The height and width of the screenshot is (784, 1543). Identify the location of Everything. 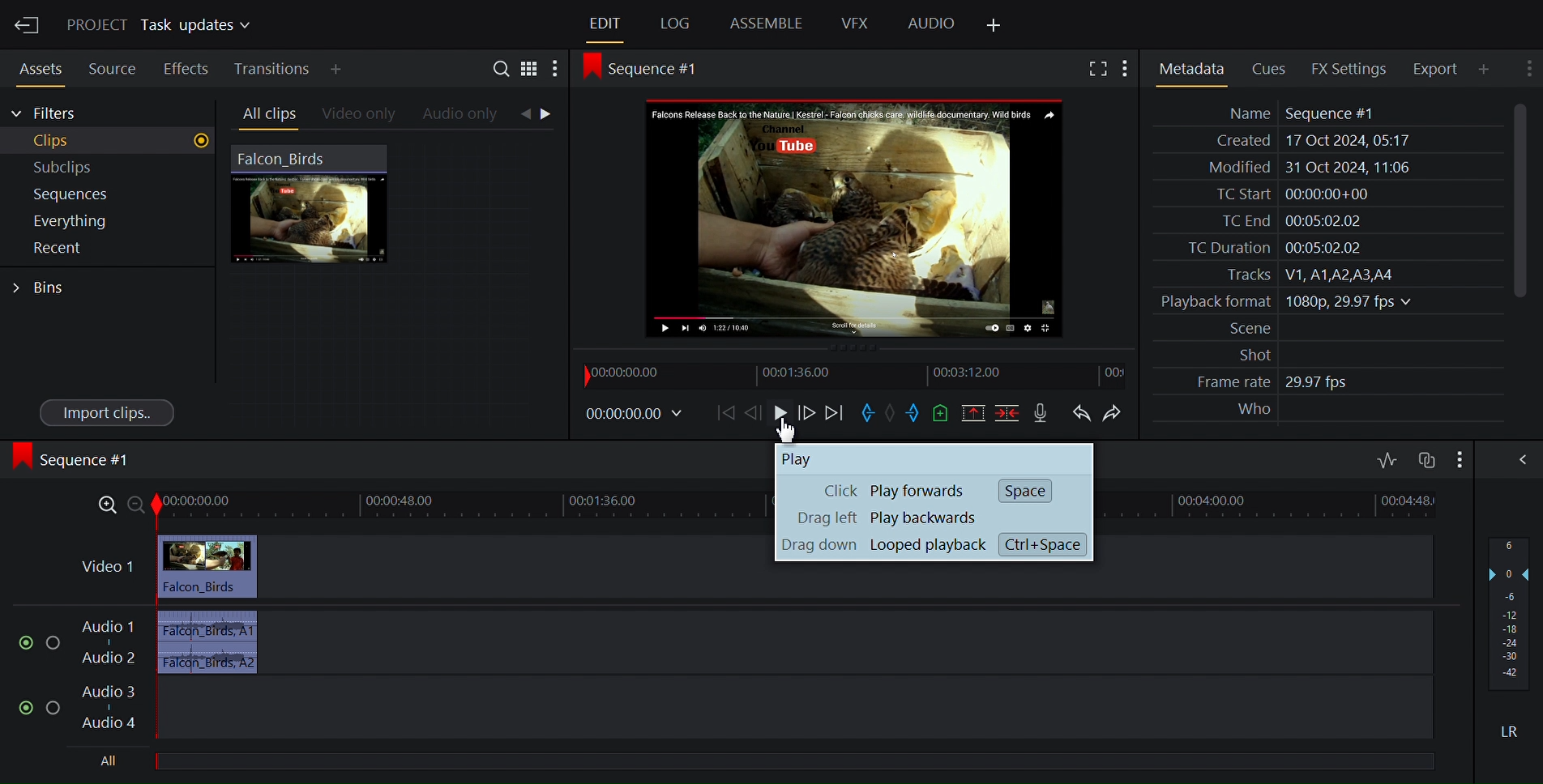
(98, 222).